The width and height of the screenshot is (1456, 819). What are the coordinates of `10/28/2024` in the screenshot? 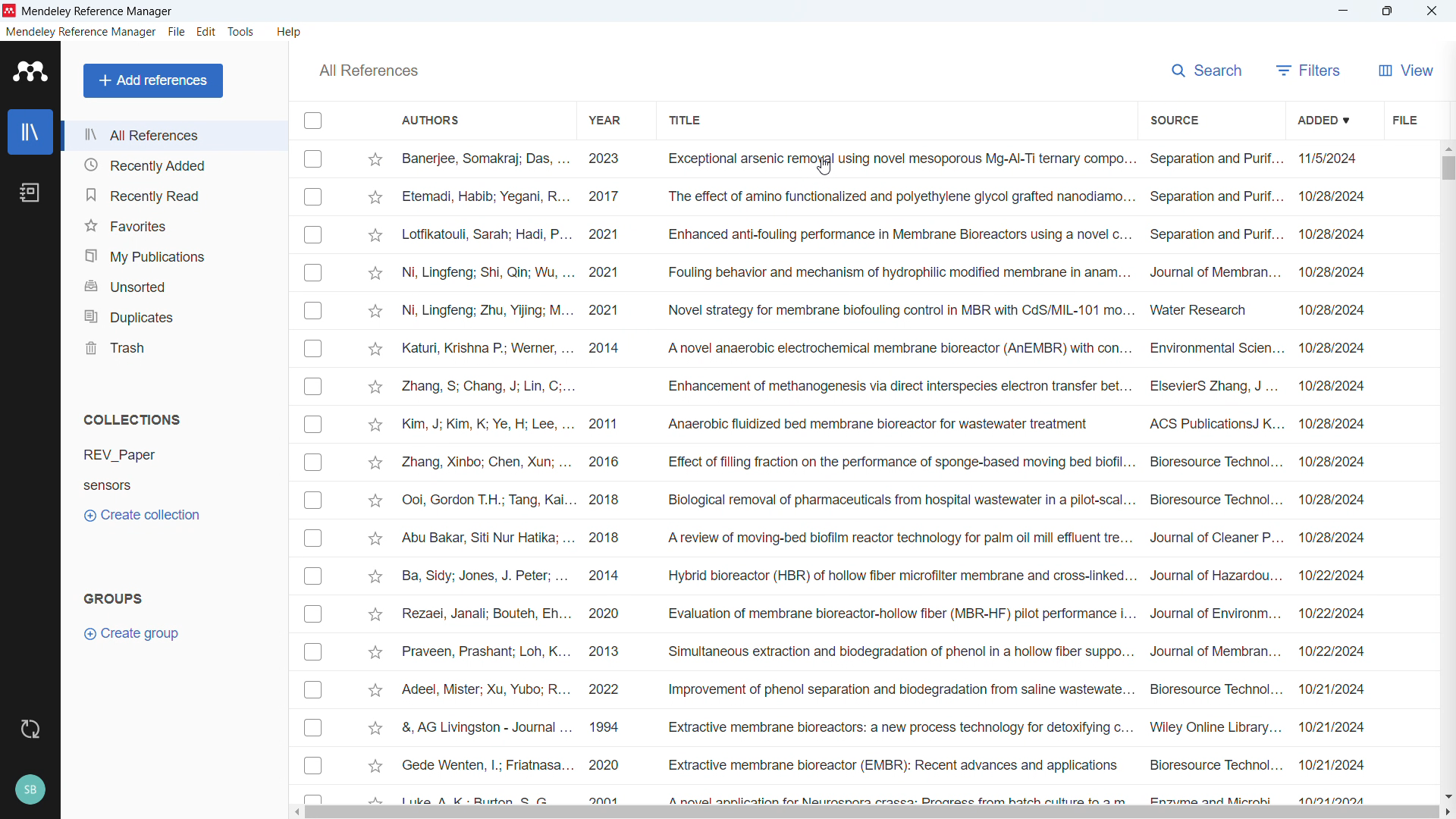 It's located at (1348, 424).